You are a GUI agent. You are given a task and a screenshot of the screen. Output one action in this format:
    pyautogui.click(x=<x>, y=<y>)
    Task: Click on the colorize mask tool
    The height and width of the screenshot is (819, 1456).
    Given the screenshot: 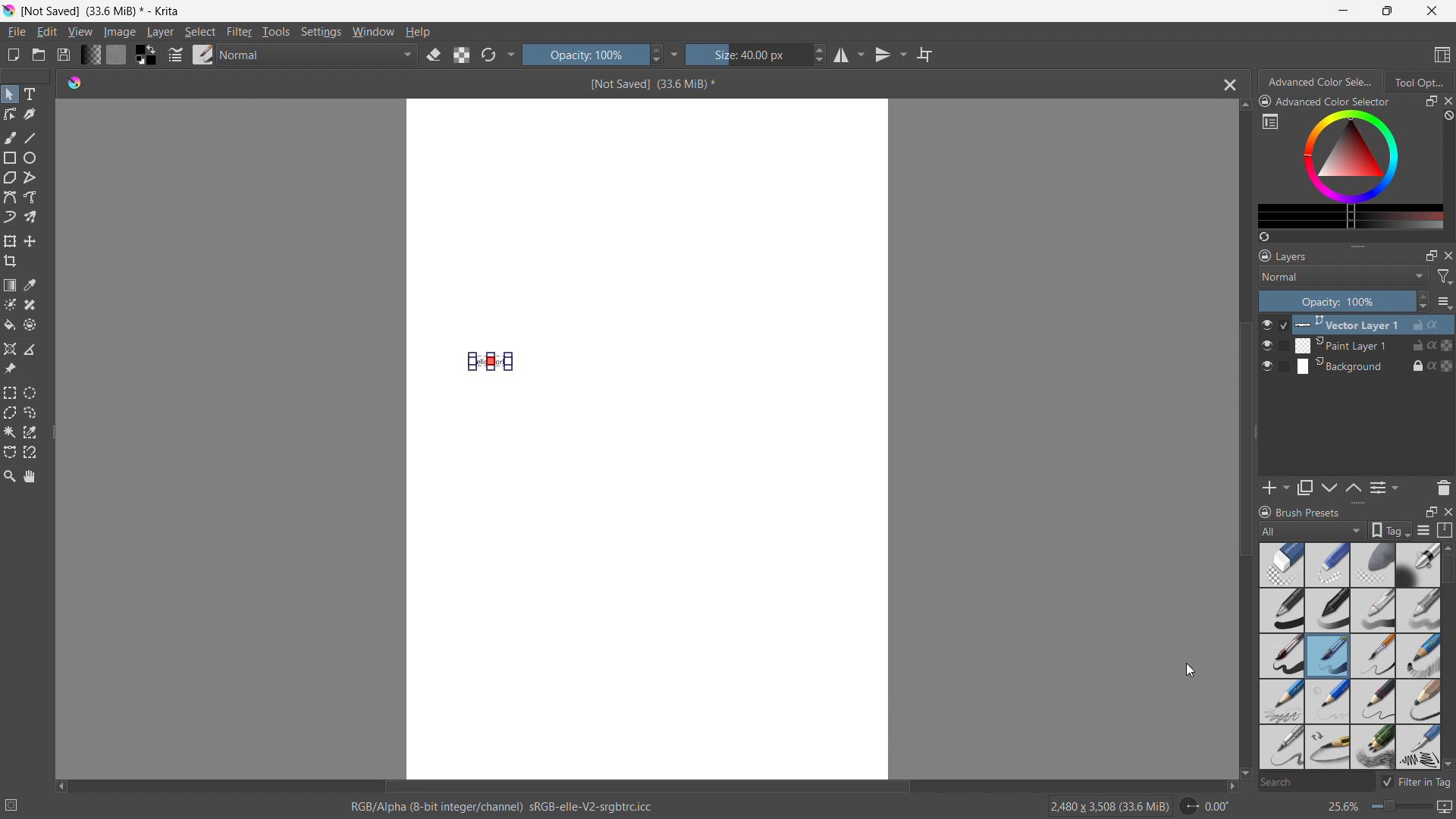 What is the action you would take?
    pyautogui.click(x=10, y=304)
    